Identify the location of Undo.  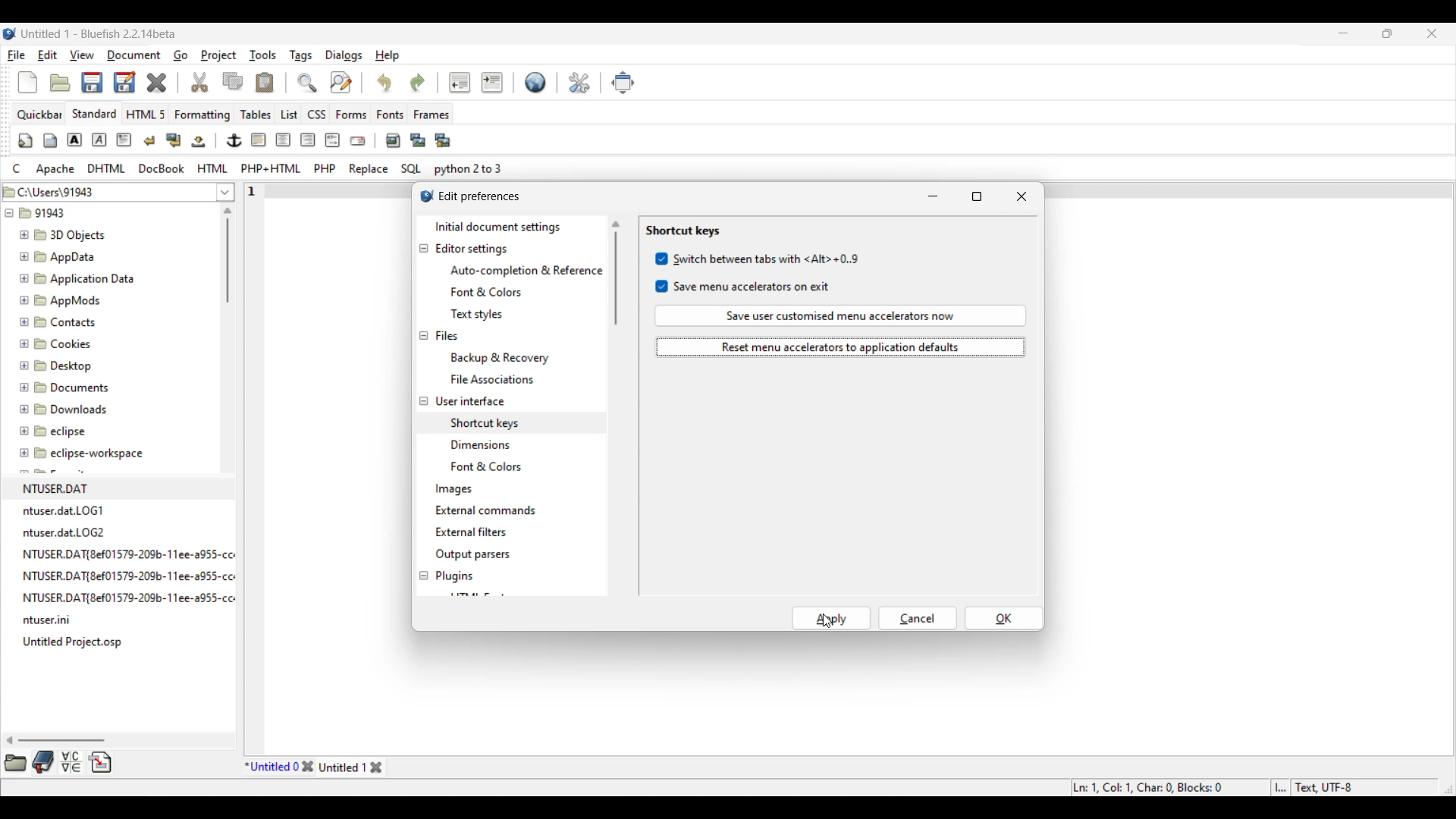
(384, 82).